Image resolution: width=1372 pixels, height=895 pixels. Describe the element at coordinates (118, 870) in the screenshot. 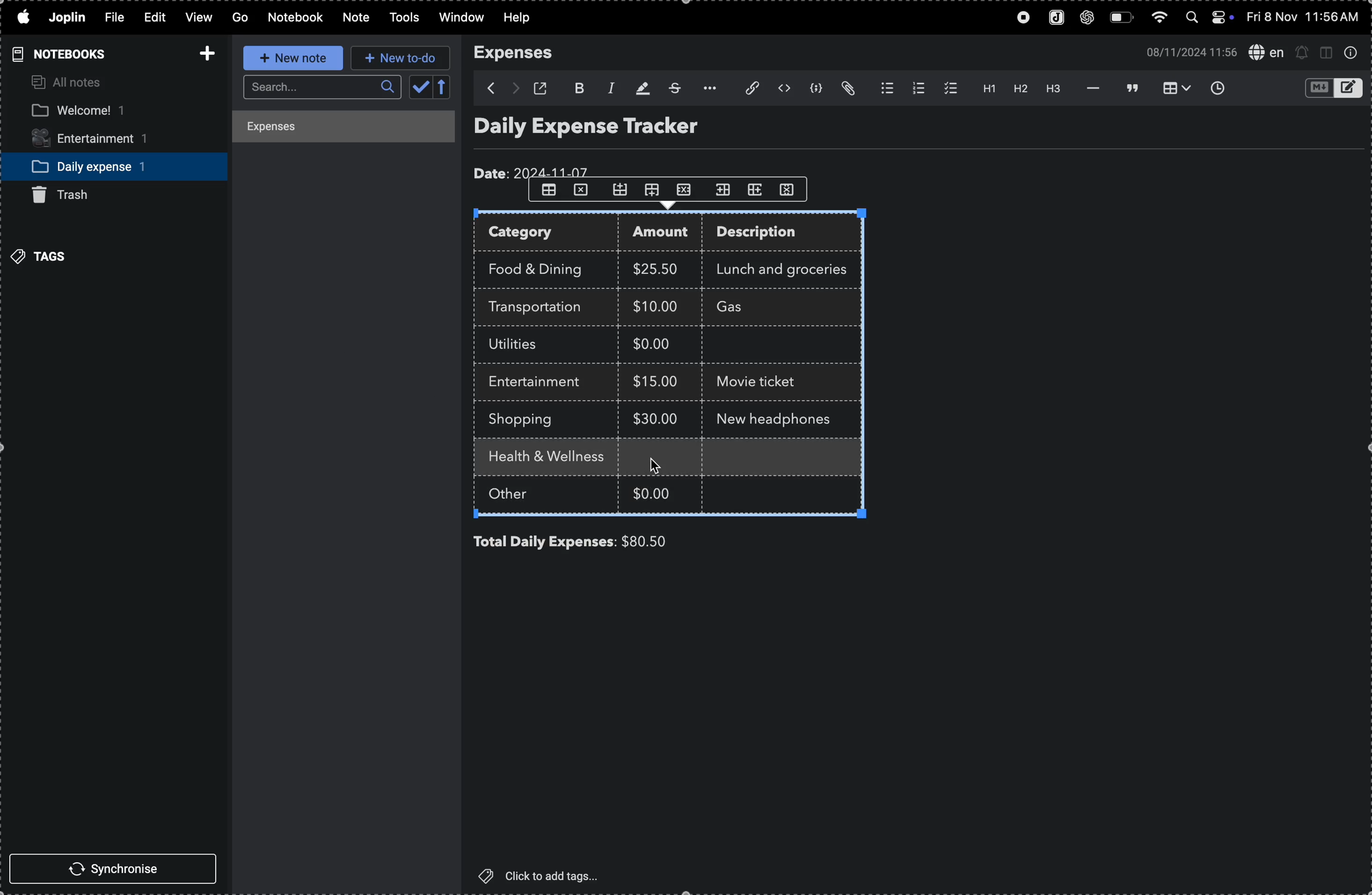

I see `synchronise` at that location.